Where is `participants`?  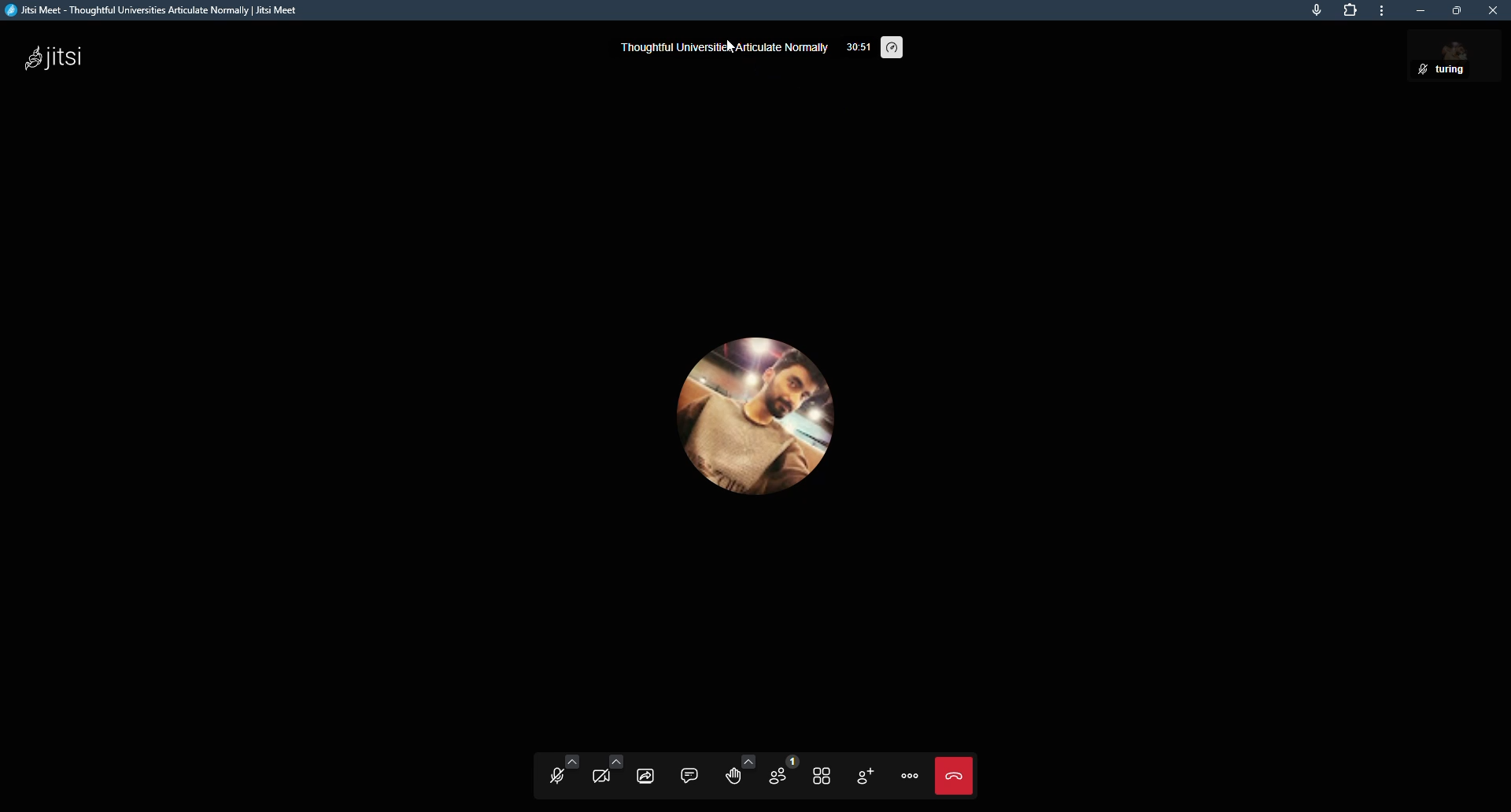
participants is located at coordinates (779, 773).